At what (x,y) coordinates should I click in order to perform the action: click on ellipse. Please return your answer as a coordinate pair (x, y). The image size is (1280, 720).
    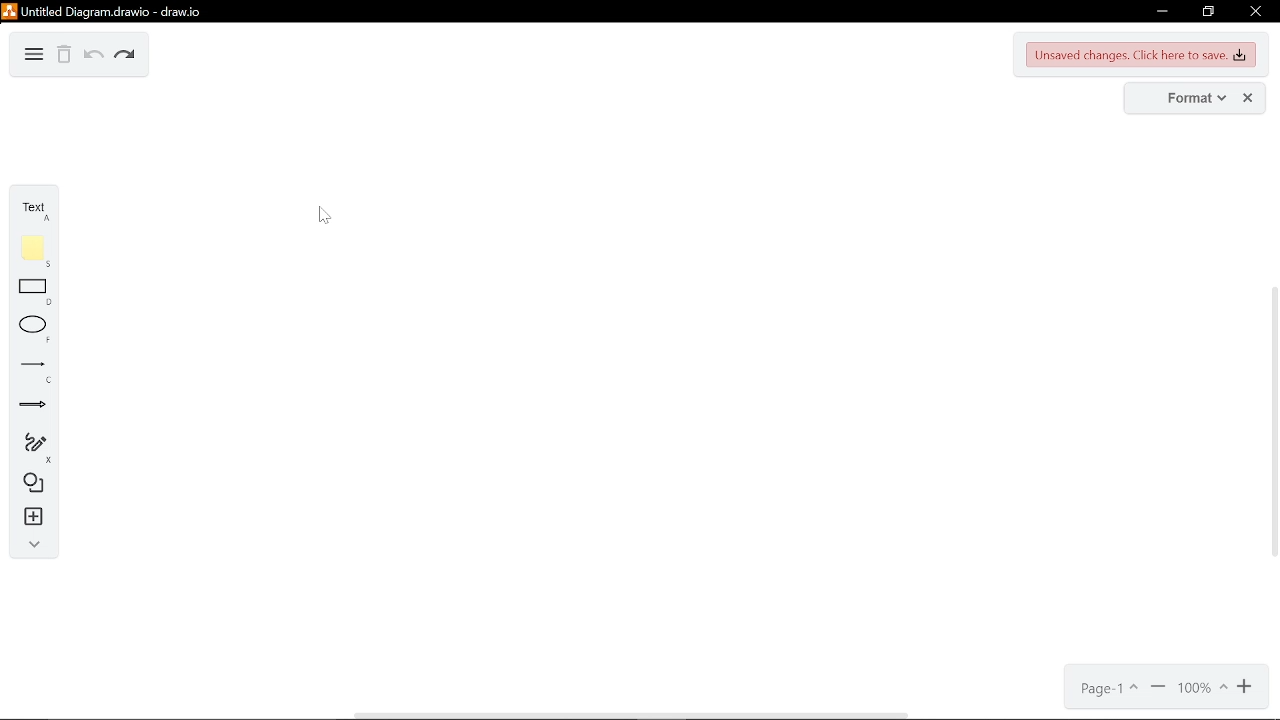
    Looking at the image, I should click on (36, 329).